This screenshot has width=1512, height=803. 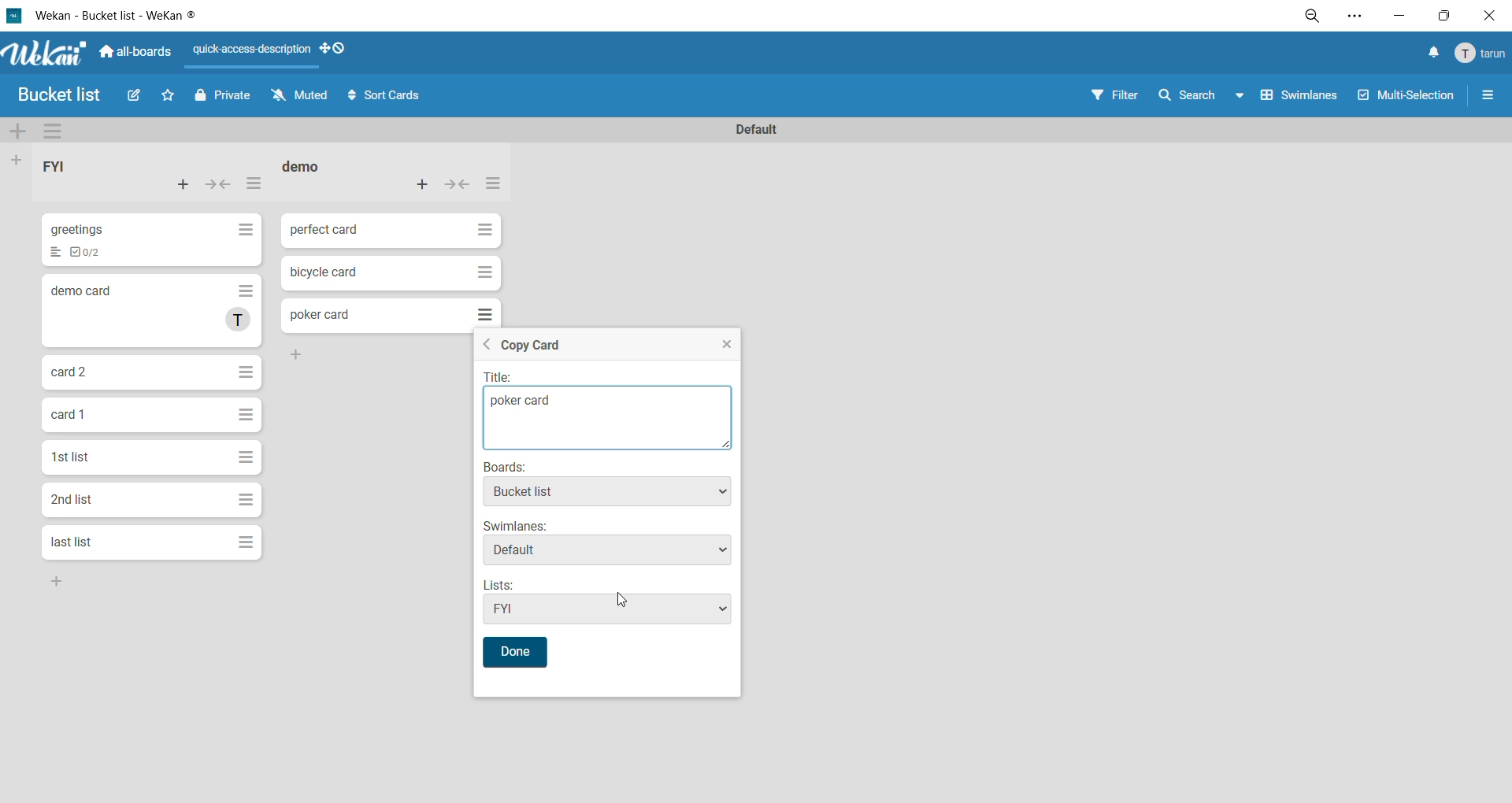 What do you see at coordinates (69, 371) in the screenshot?
I see `card 2` at bounding box center [69, 371].